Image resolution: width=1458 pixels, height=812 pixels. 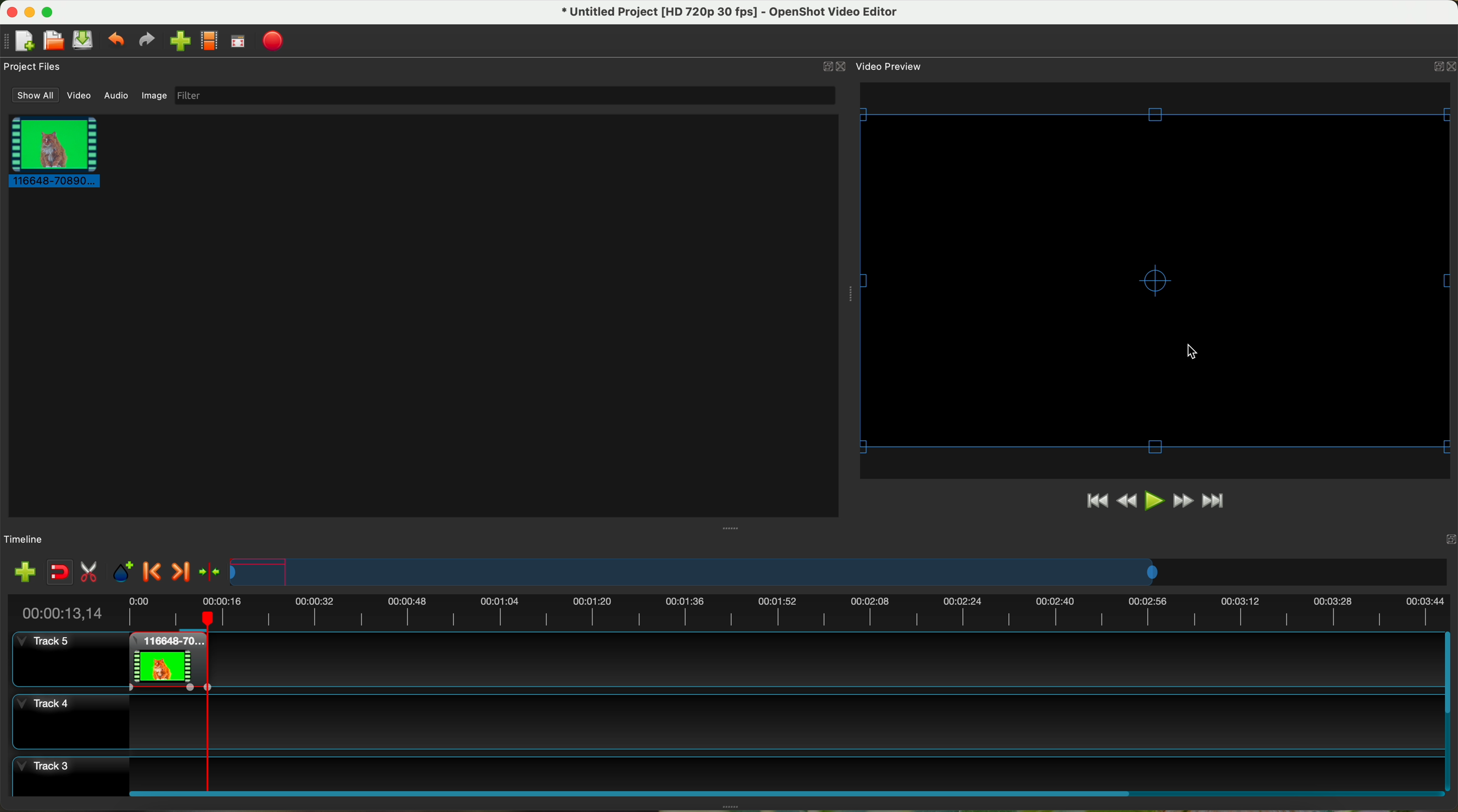 What do you see at coordinates (1155, 501) in the screenshot?
I see `click on play` at bounding box center [1155, 501].